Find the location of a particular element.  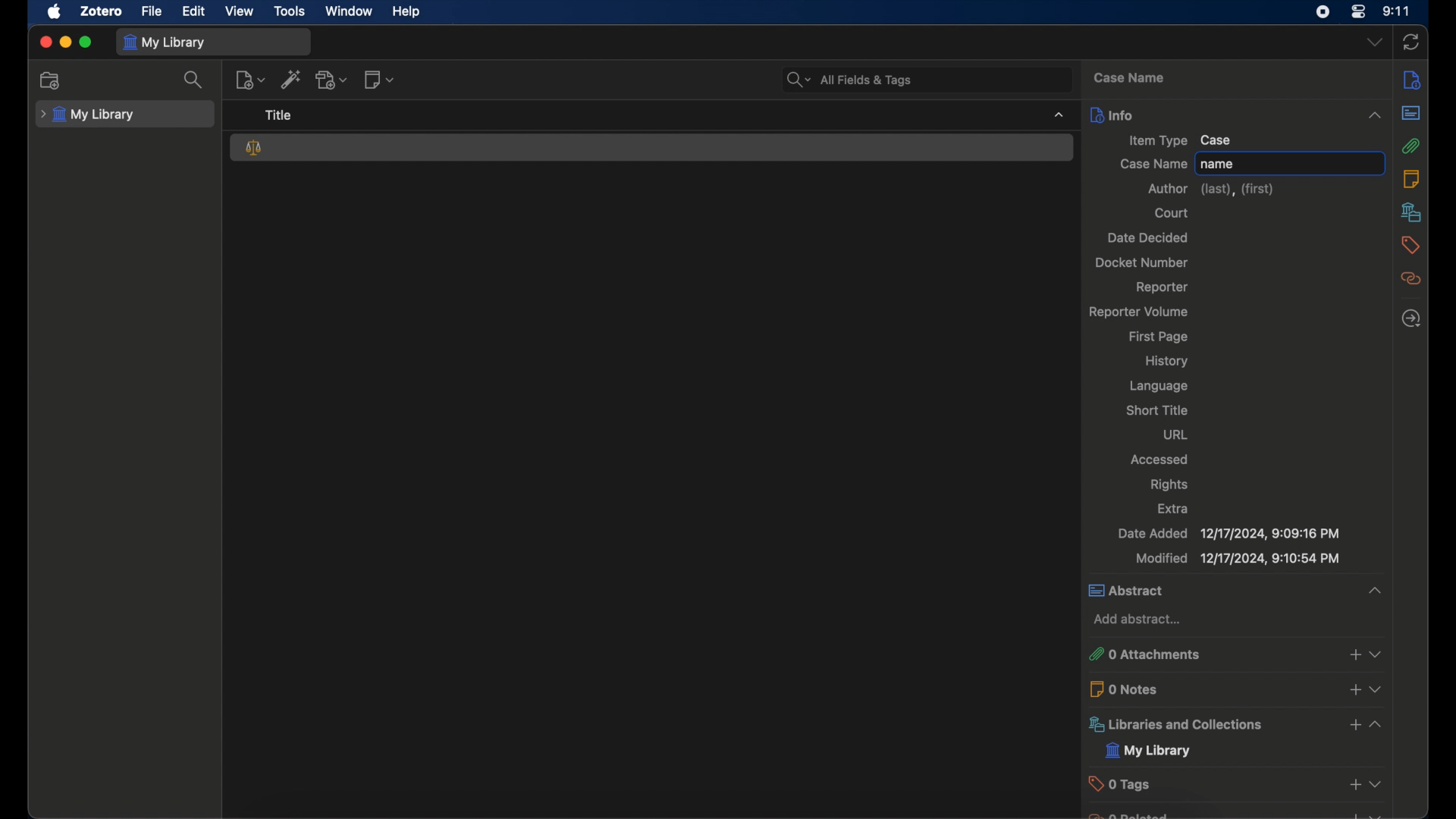

info is located at coordinates (1411, 80).